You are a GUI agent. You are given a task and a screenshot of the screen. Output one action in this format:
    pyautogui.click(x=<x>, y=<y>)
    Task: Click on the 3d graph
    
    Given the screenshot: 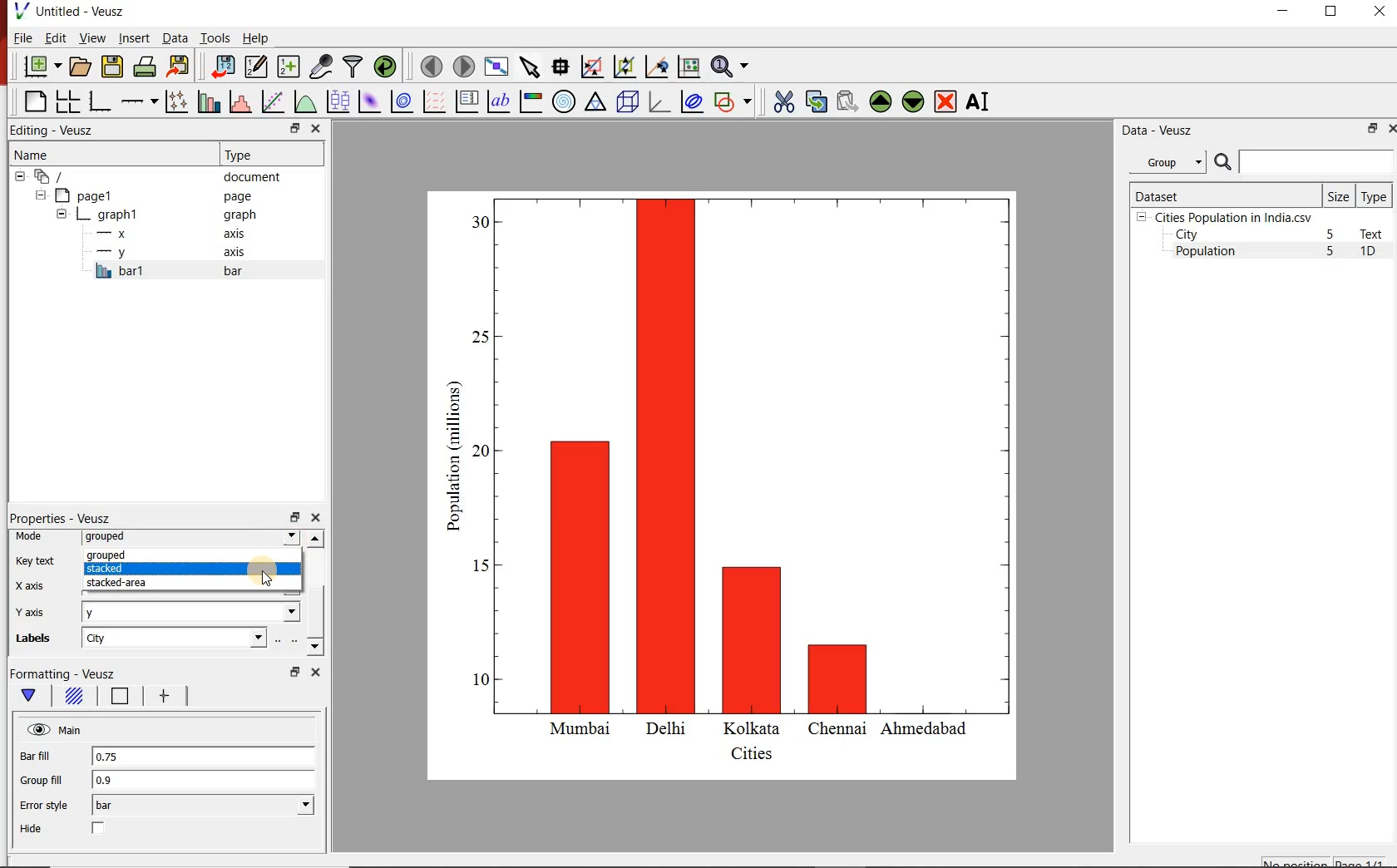 What is the action you would take?
    pyautogui.click(x=658, y=101)
    